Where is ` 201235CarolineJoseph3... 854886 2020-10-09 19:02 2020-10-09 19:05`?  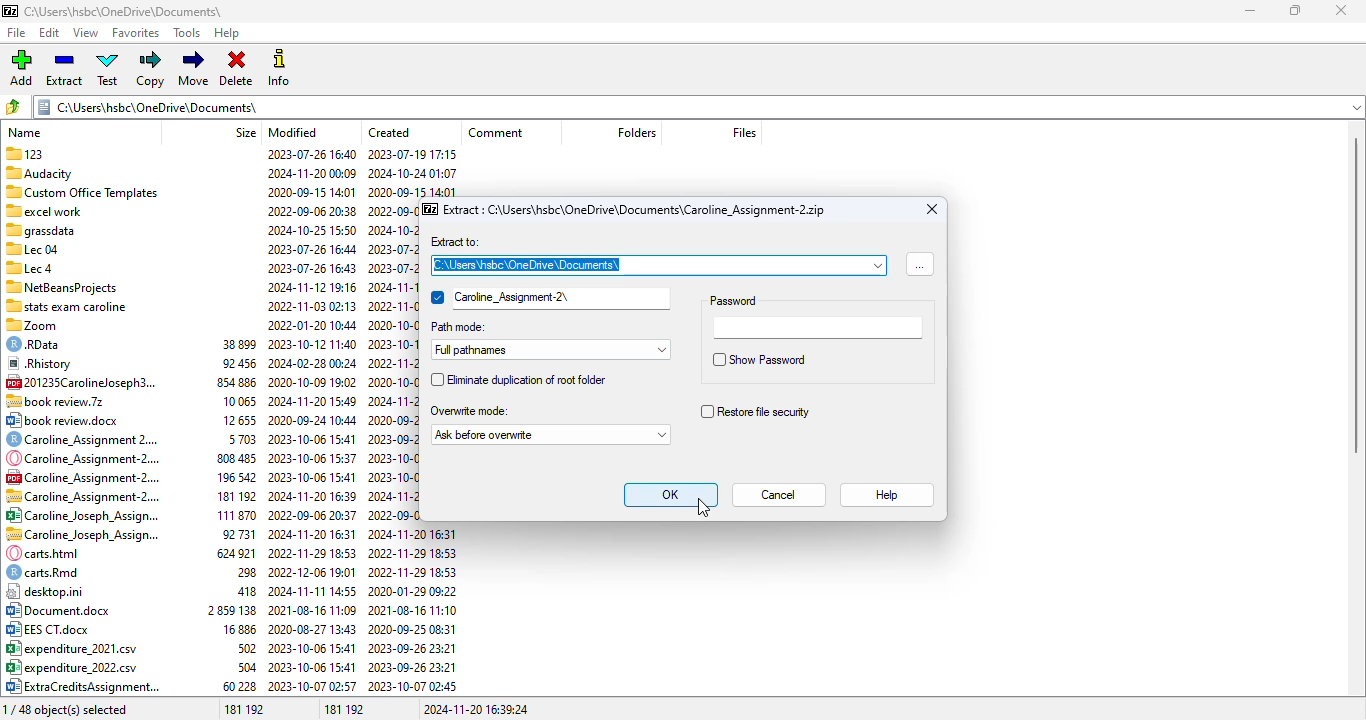  201235CarolineJoseph3... 854886 2020-10-09 19:02 2020-10-09 19:05 is located at coordinates (212, 382).